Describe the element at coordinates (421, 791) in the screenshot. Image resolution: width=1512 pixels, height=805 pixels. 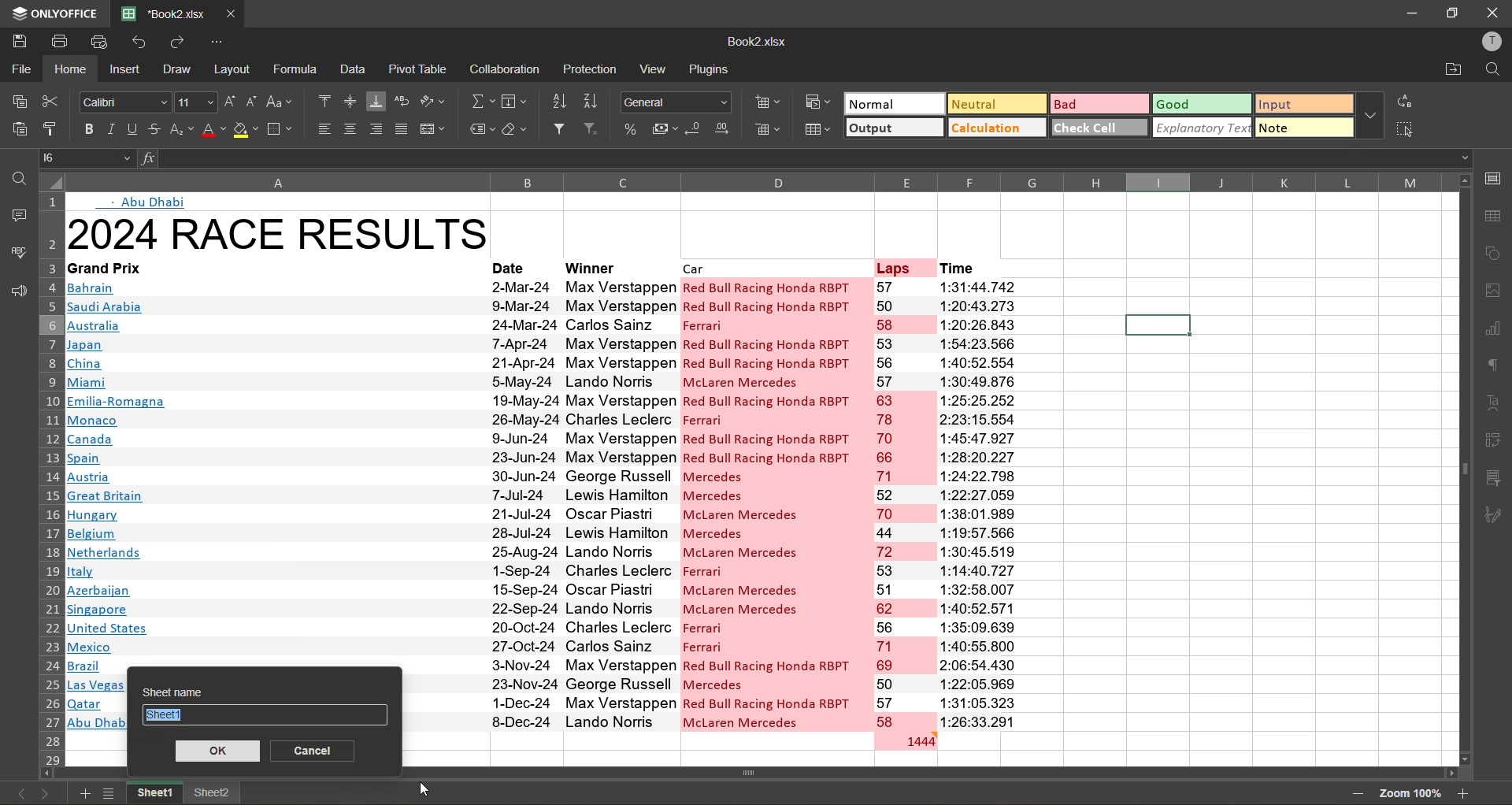
I see `cursor` at that location.